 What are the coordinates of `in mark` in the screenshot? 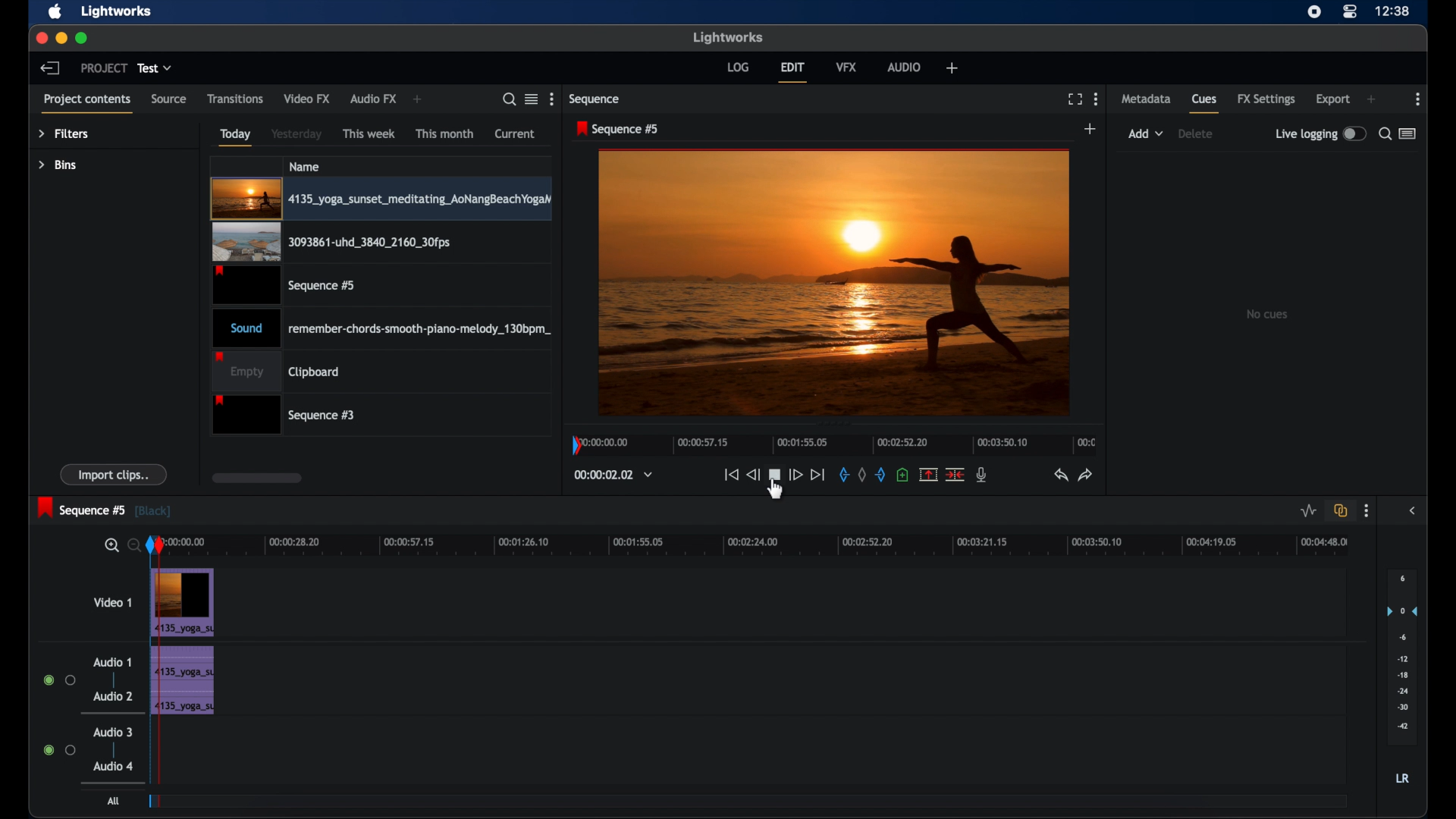 It's located at (843, 475).